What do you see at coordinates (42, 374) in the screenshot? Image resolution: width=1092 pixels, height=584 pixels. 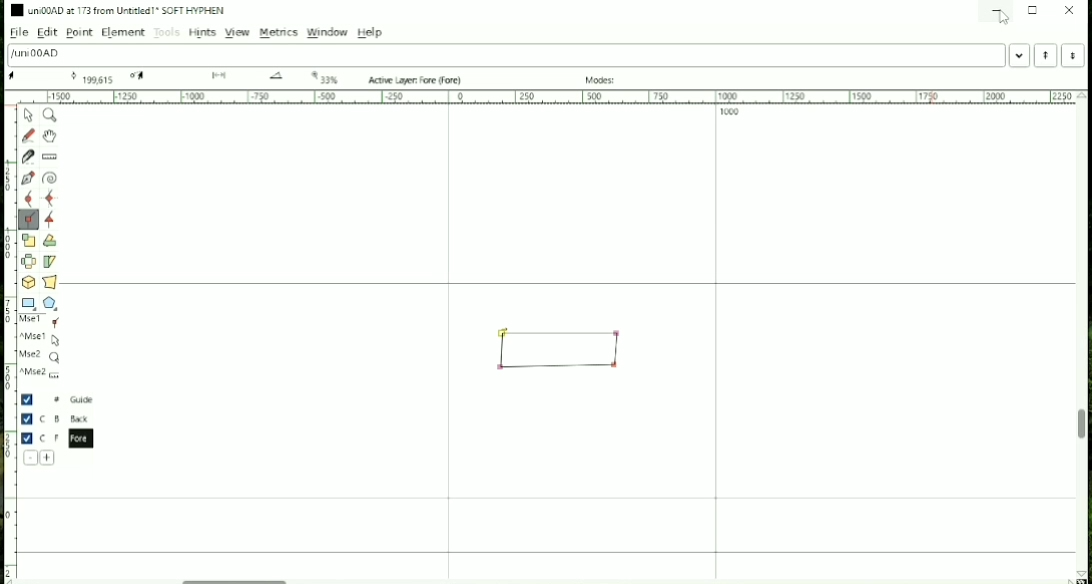 I see `^Mse2` at bounding box center [42, 374].